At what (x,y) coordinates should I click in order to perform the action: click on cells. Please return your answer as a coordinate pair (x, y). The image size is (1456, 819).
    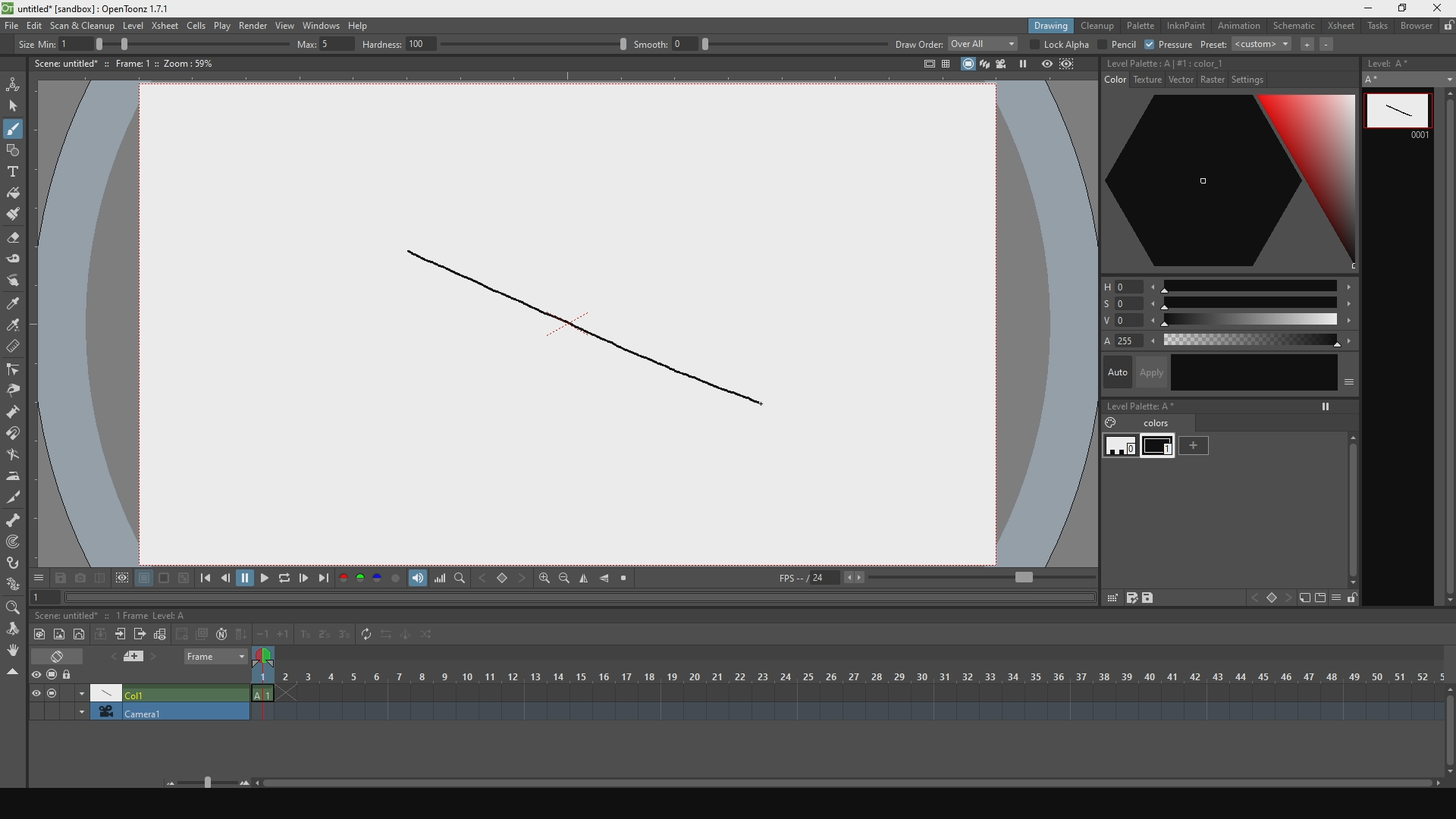
    Looking at the image, I should click on (196, 26).